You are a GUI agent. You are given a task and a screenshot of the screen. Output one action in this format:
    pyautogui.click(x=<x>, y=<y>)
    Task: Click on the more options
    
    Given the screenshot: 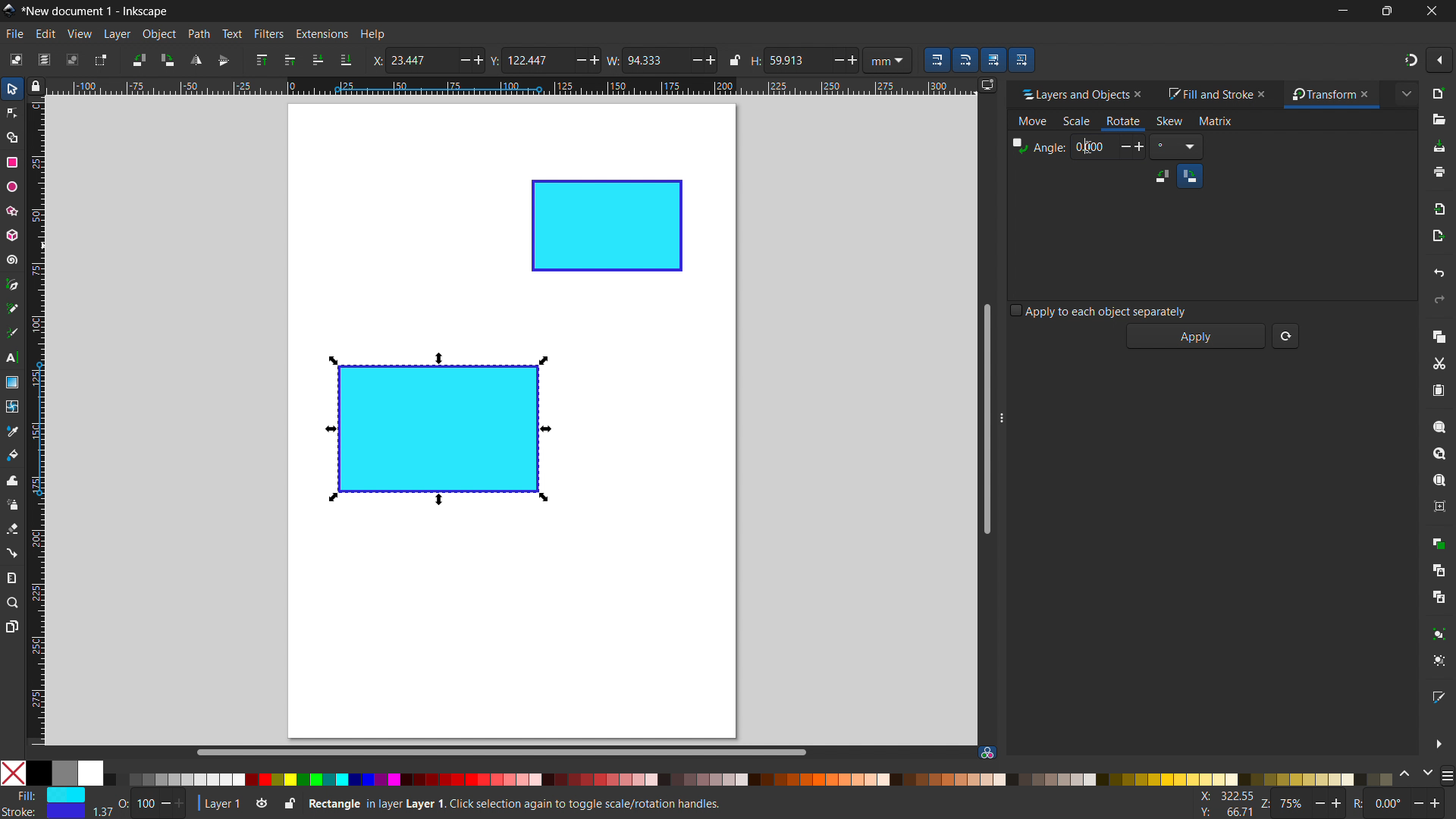 What is the action you would take?
    pyautogui.click(x=1439, y=744)
    